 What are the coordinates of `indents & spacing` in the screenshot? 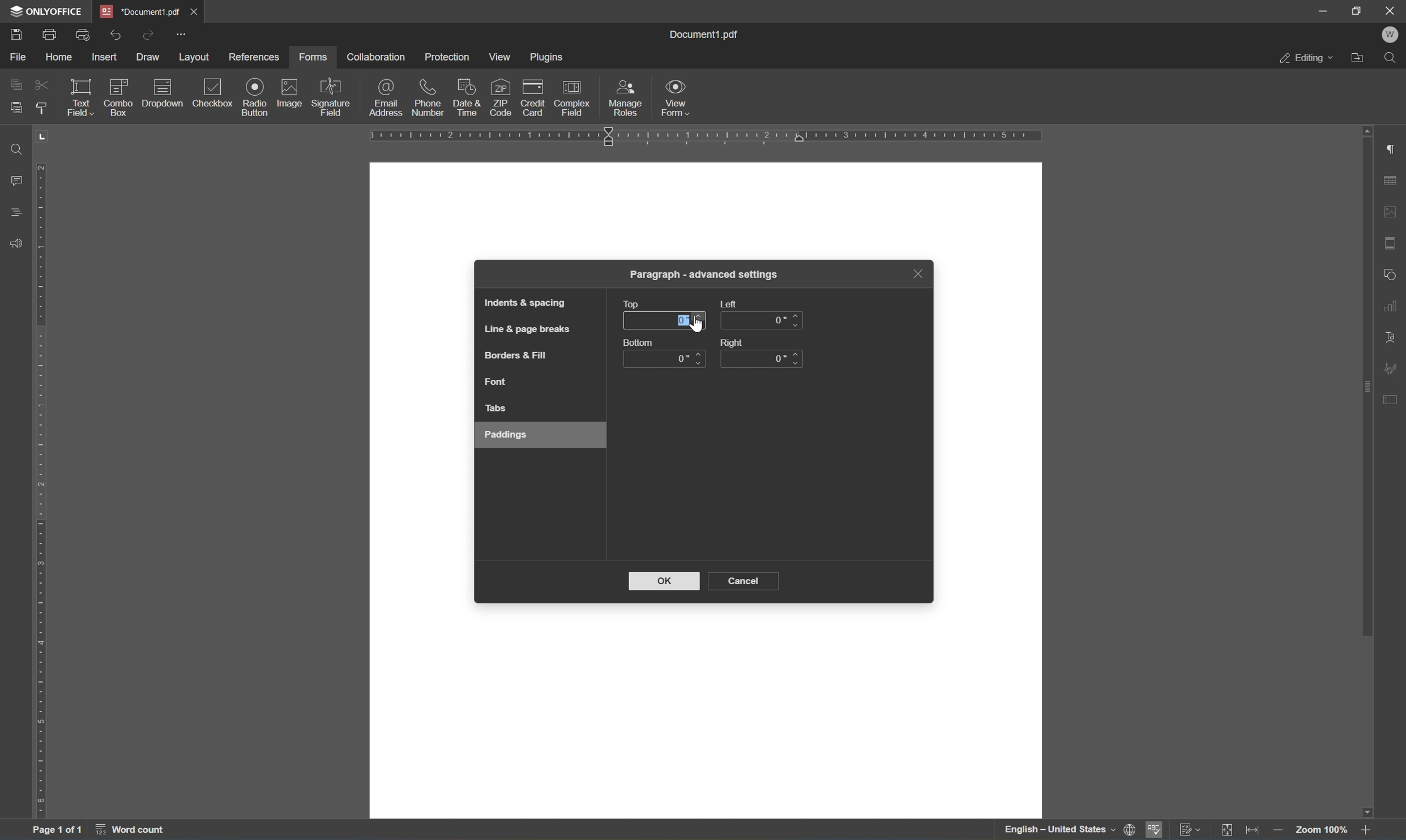 It's located at (525, 303).